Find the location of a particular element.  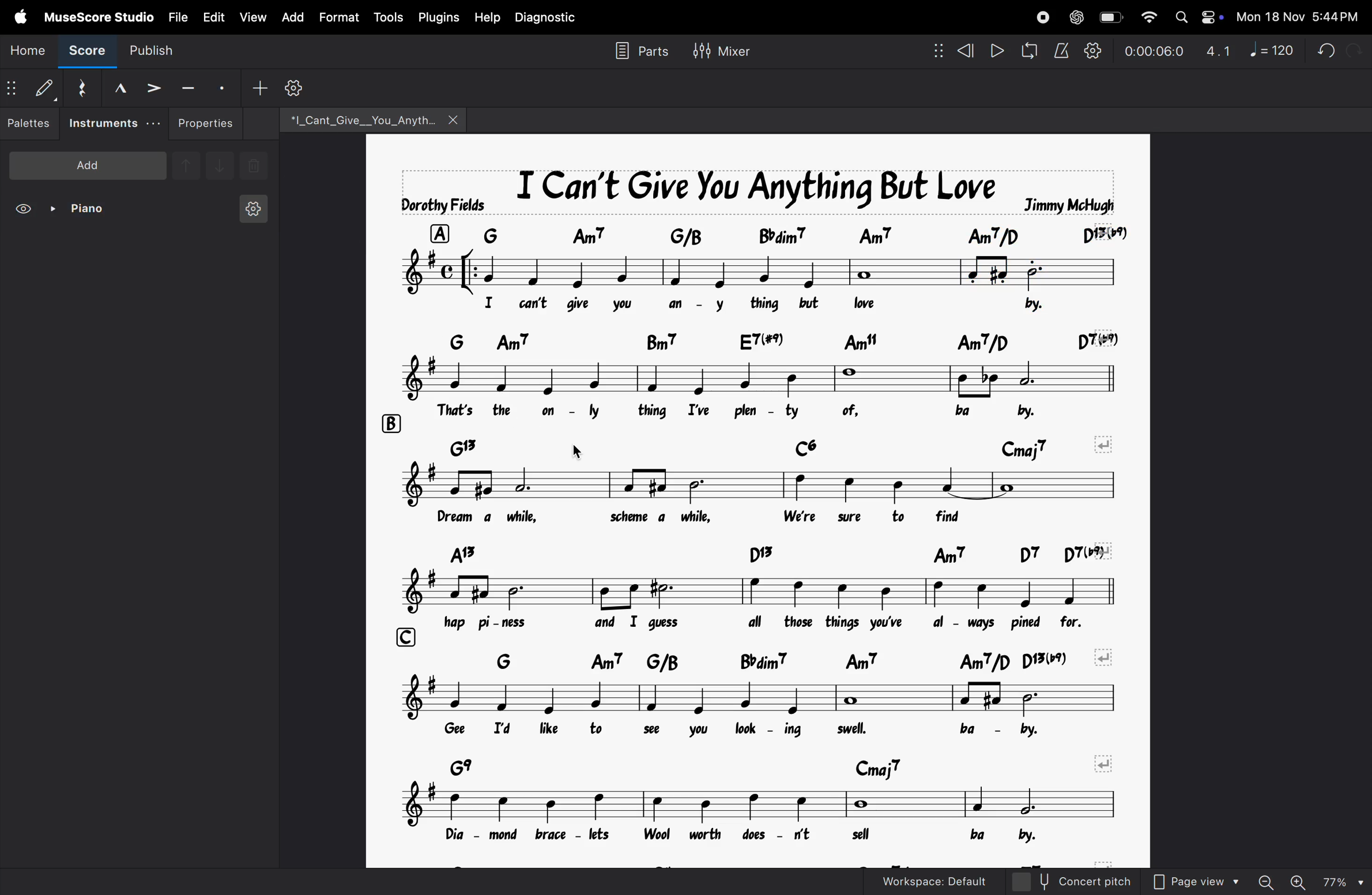

page view is located at coordinates (1195, 882).